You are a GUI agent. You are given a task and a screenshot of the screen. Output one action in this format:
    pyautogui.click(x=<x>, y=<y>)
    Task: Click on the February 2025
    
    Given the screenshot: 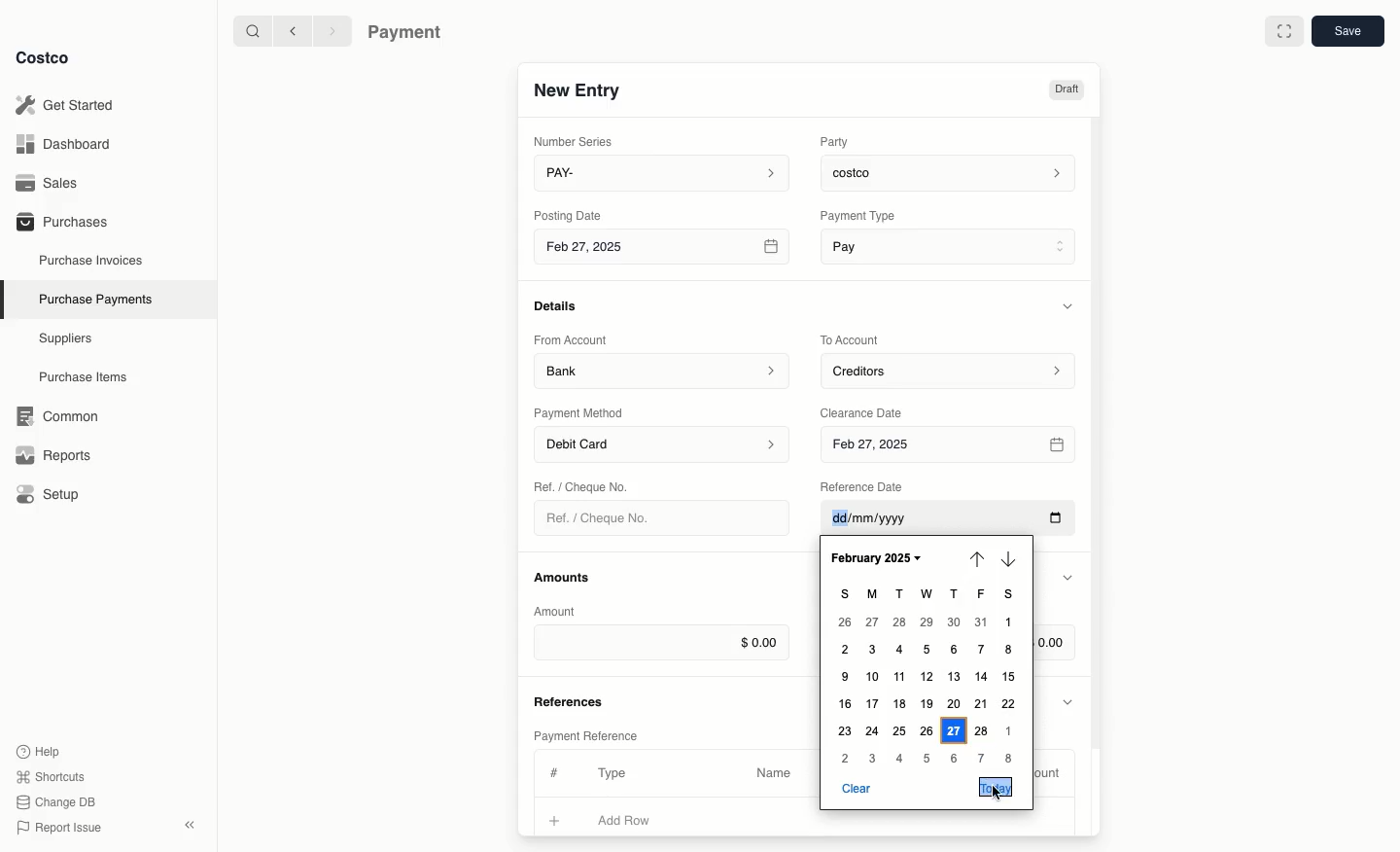 What is the action you would take?
    pyautogui.click(x=885, y=558)
    